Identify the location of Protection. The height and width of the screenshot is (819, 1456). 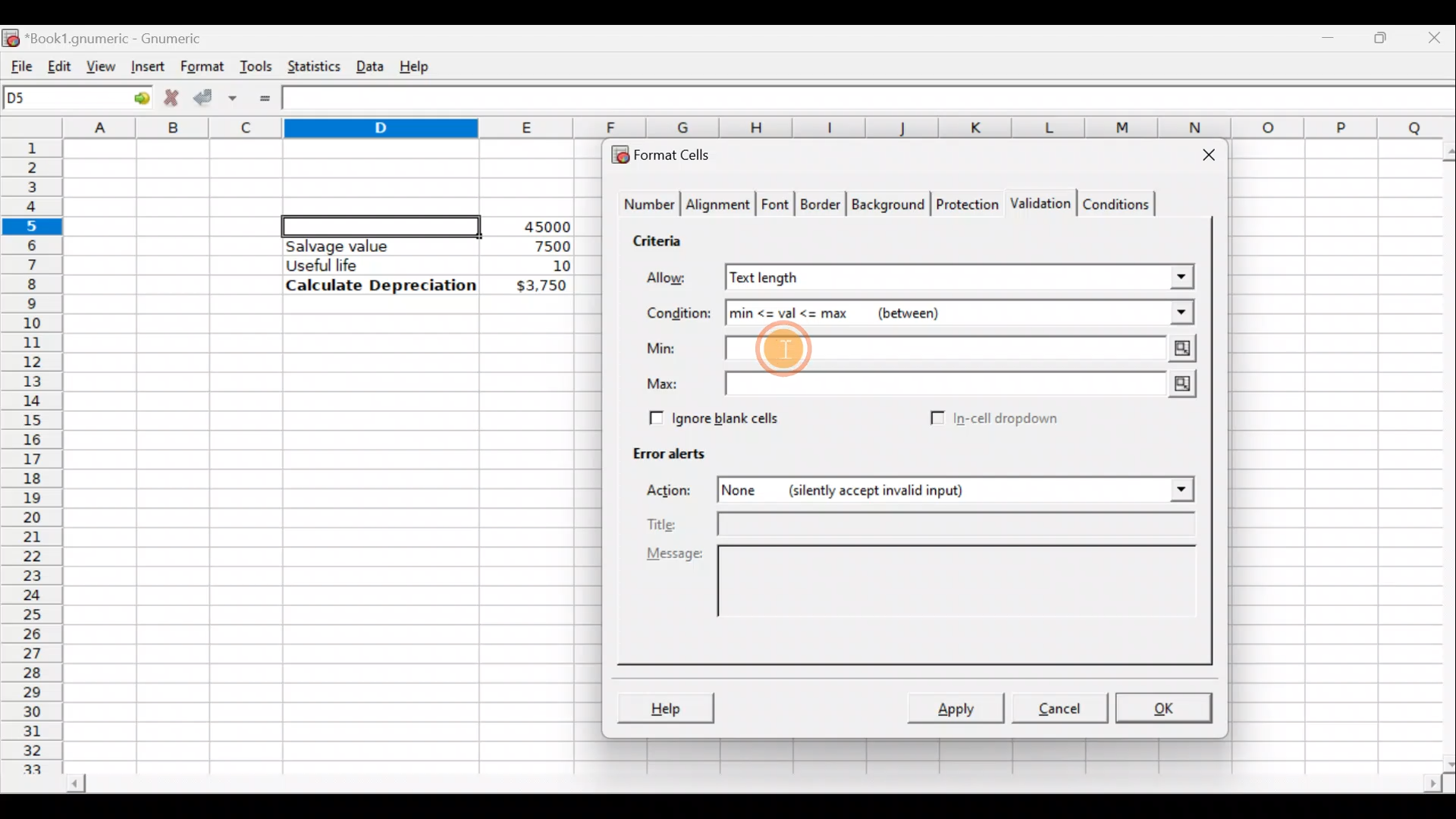
(964, 206).